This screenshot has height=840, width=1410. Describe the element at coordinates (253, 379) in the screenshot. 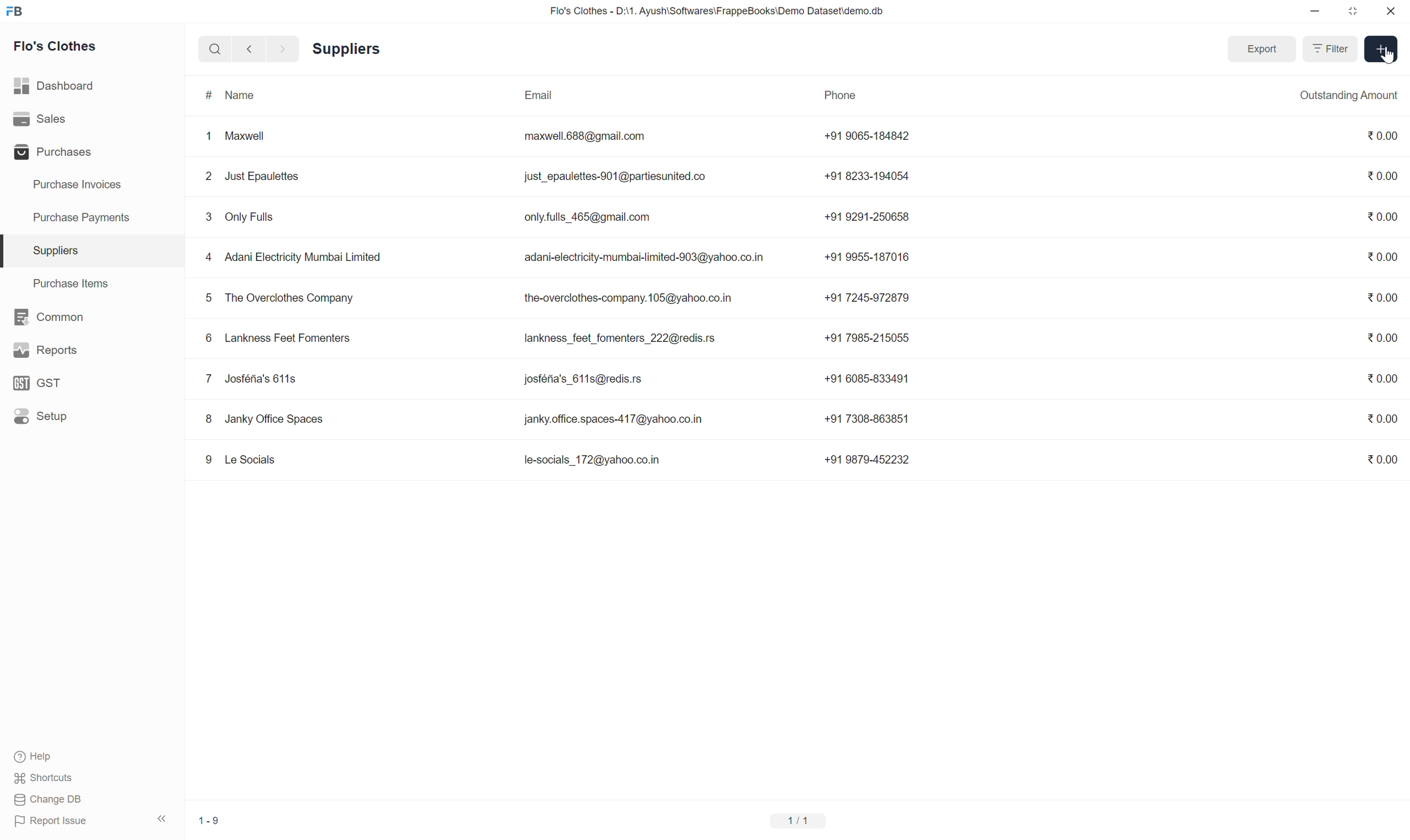

I see `7 Josféna's 611s` at that location.